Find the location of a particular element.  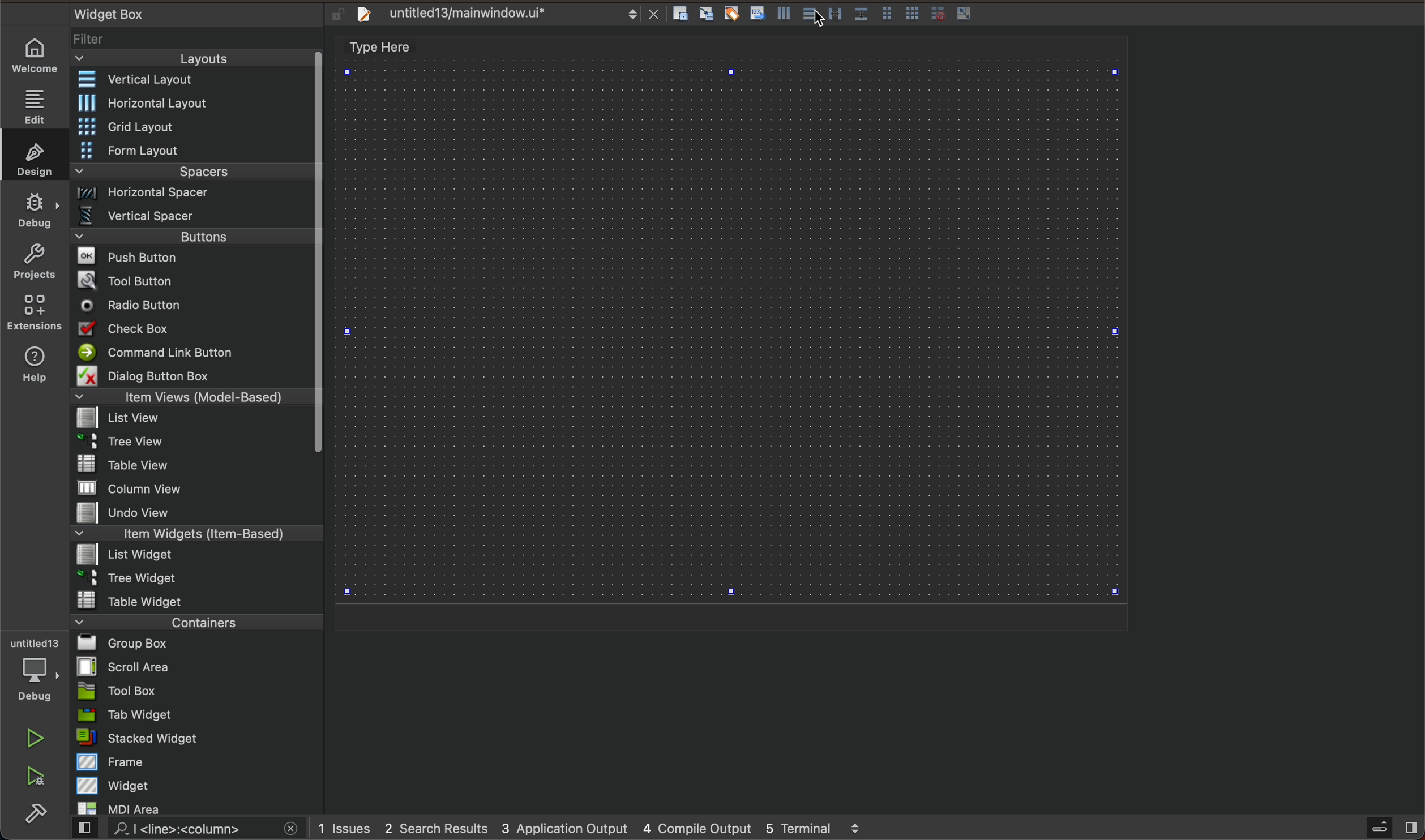

frame is located at coordinates (196, 762).